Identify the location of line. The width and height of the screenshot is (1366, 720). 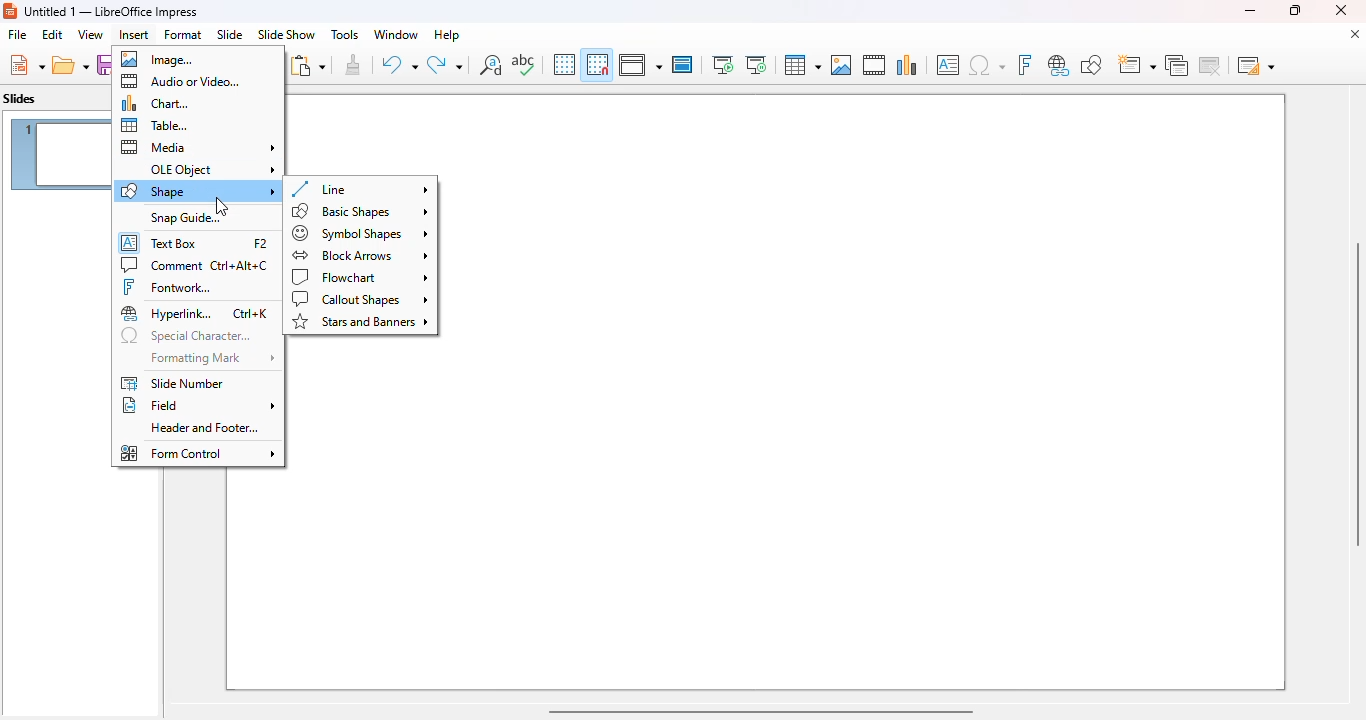
(359, 189).